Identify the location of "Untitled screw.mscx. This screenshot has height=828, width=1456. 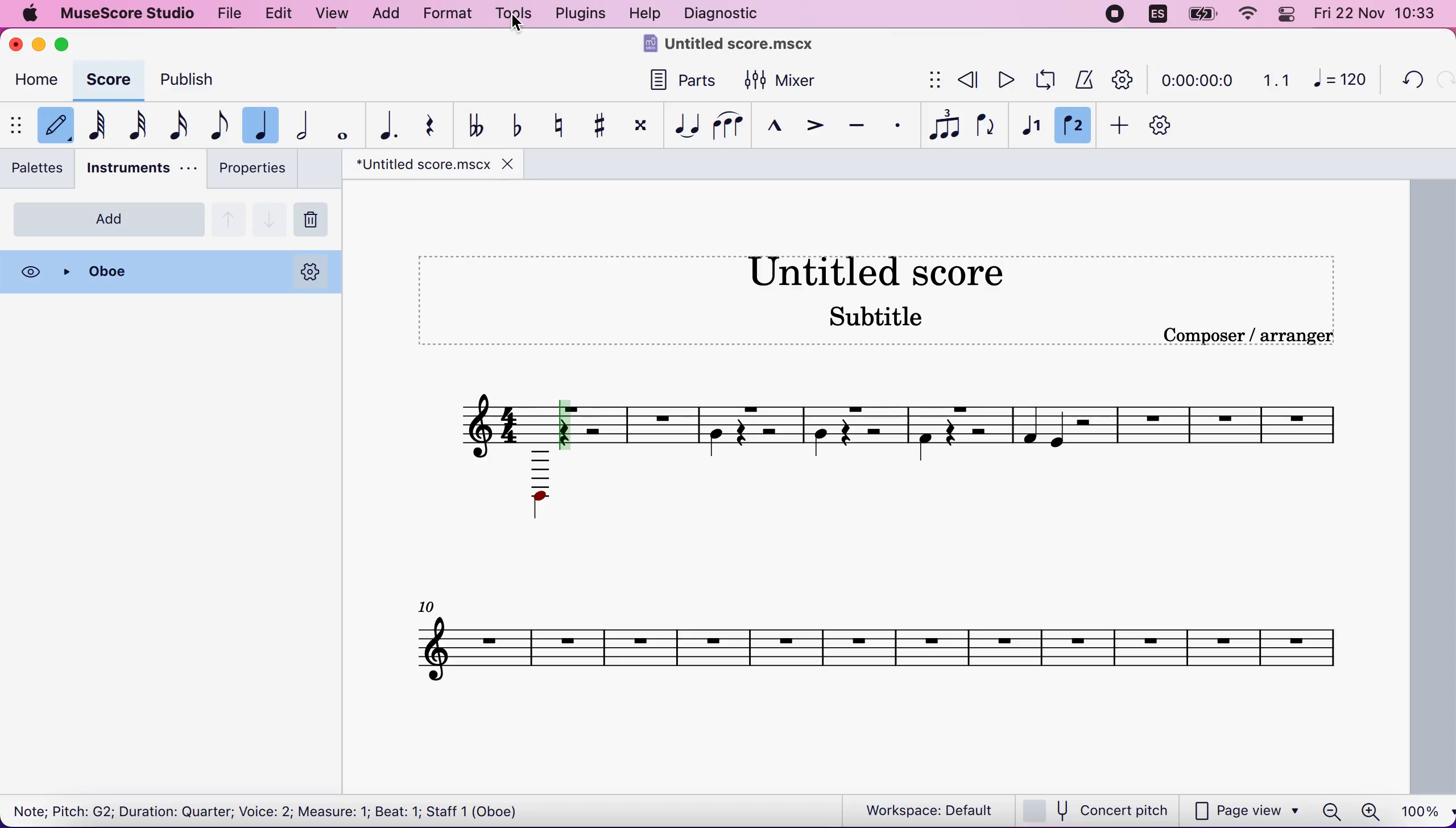
(738, 47).